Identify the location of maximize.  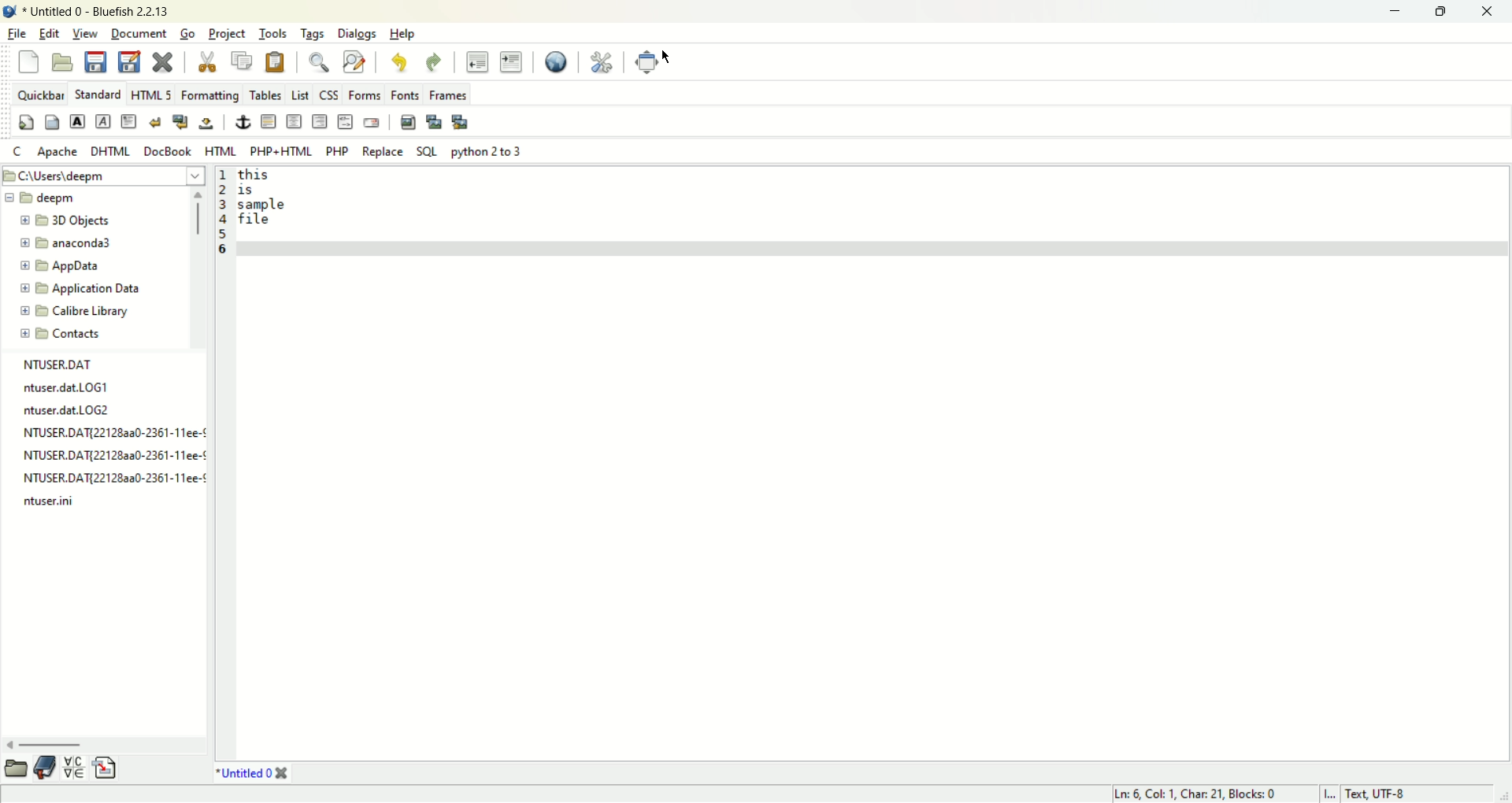
(1440, 12).